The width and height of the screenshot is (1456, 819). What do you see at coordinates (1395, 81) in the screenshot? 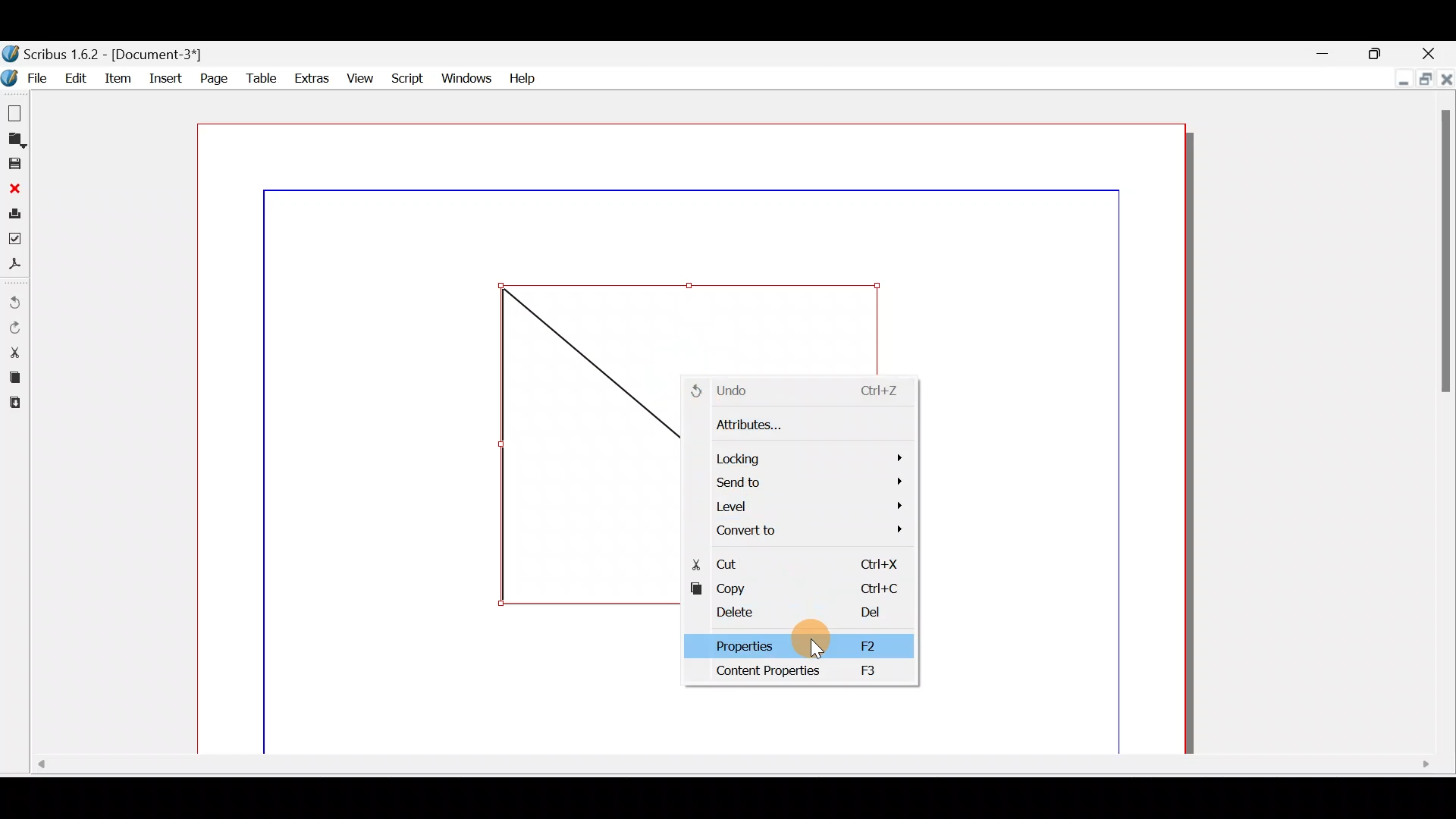
I see `Minimise` at bounding box center [1395, 81].